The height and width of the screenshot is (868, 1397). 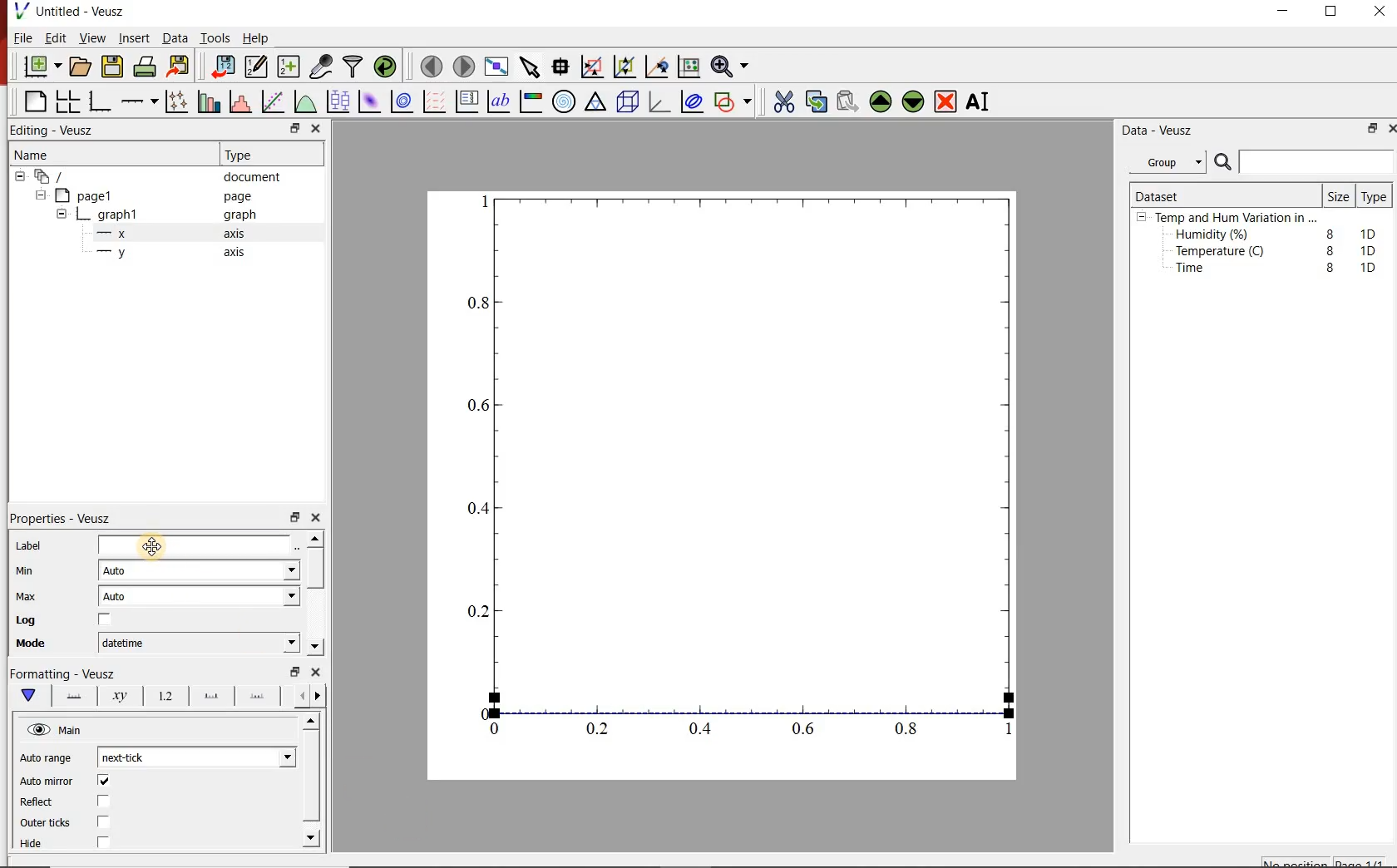 What do you see at coordinates (565, 103) in the screenshot?
I see `polar graph` at bounding box center [565, 103].